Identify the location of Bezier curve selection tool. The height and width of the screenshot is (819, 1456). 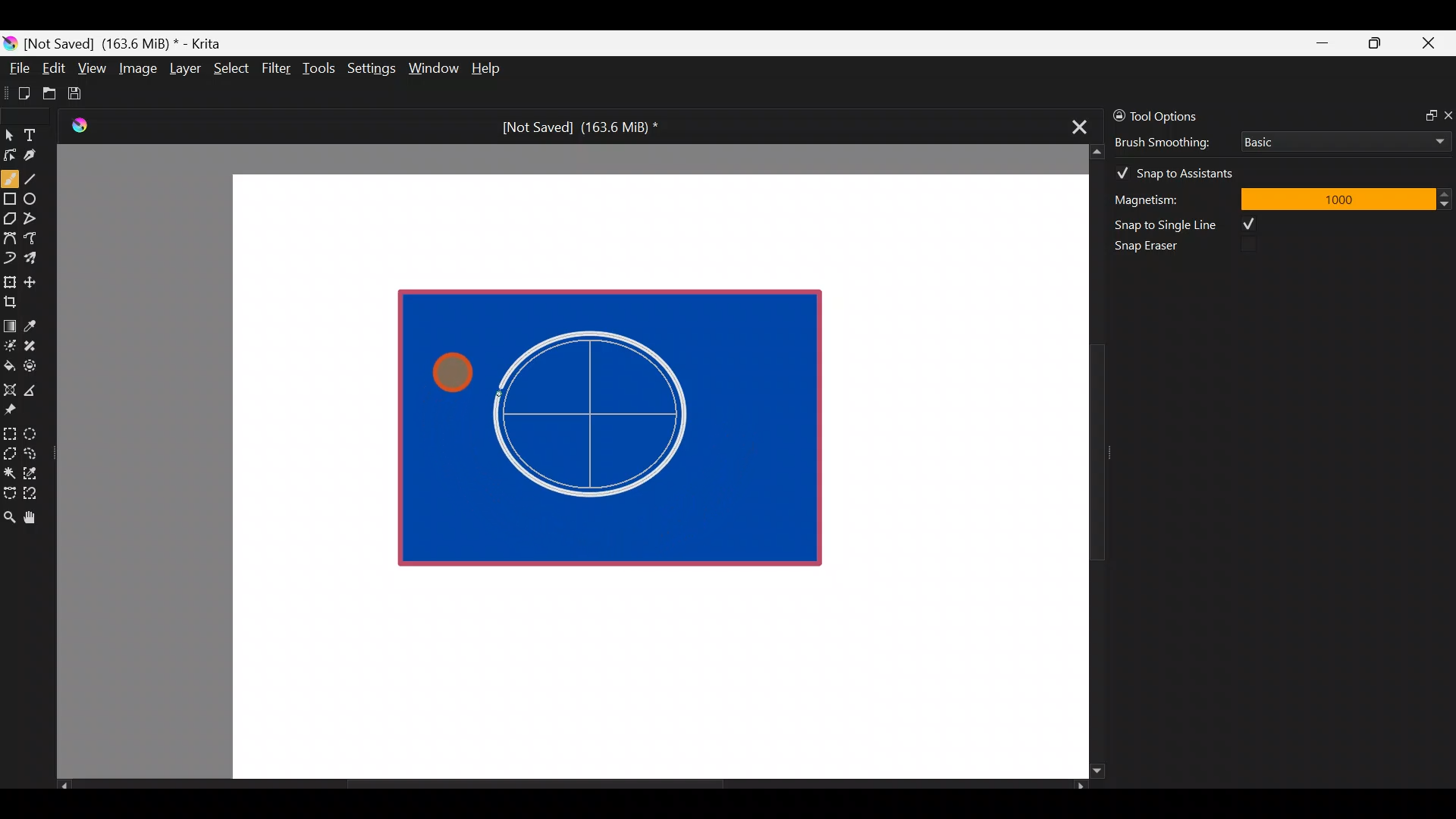
(9, 491).